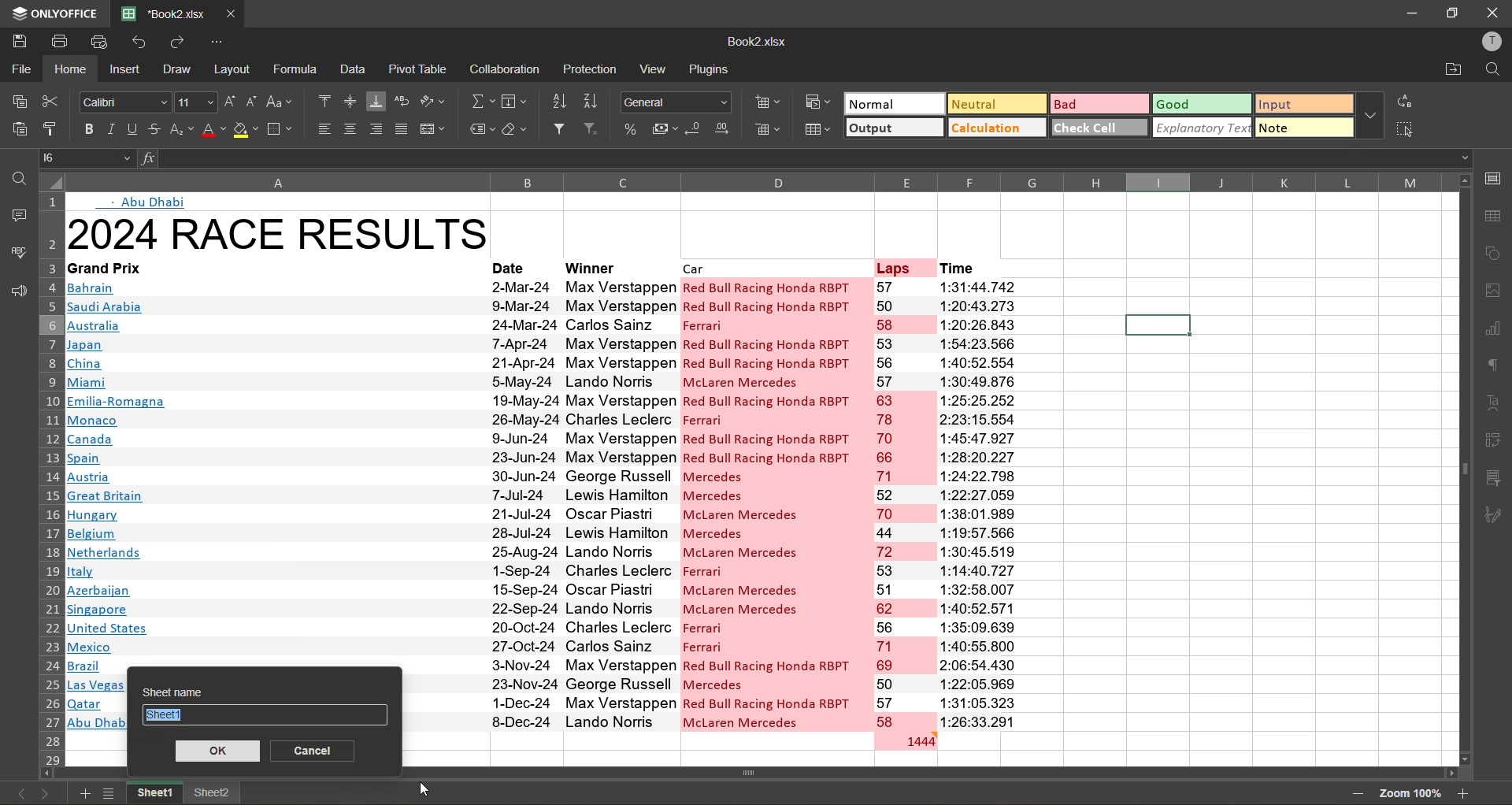  What do you see at coordinates (276, 230) in the screenshot?
I see `title` at bounding box center [276, 230].